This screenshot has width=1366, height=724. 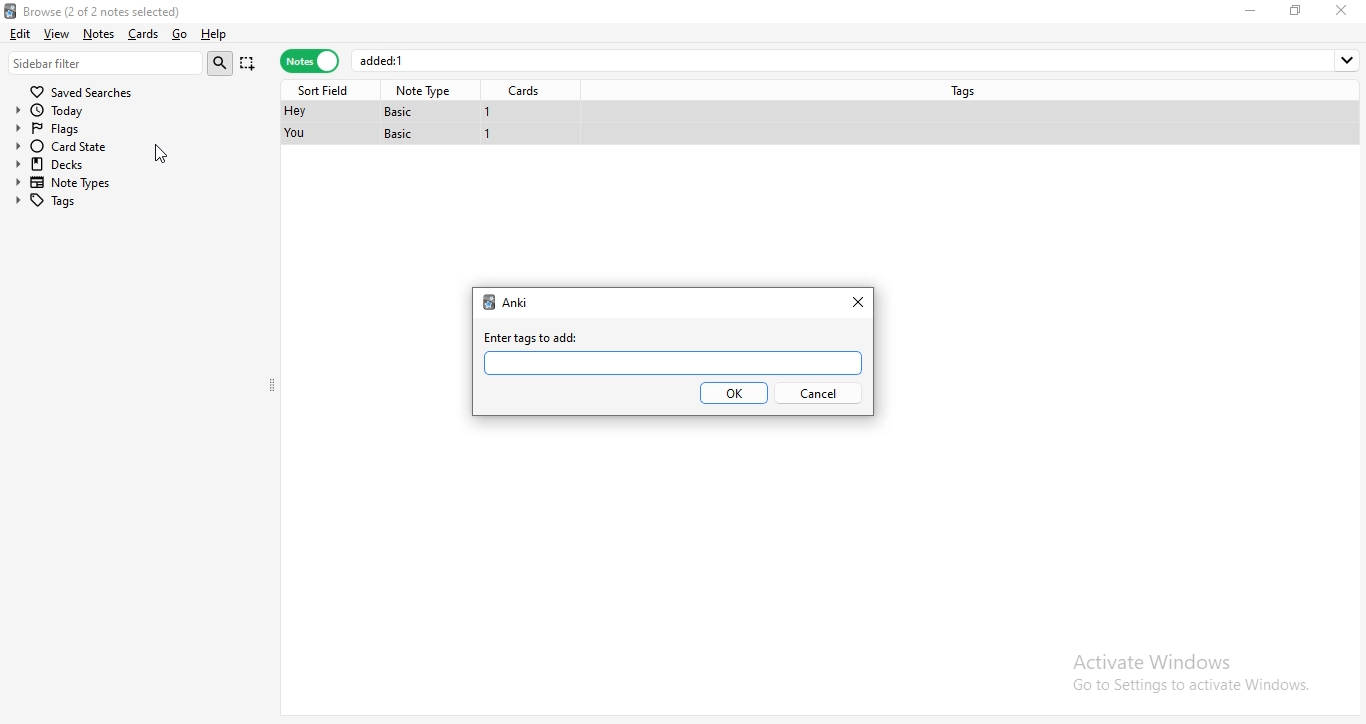 What do you see at coordinates (98, 34) in the screenshot?
I see `notes` at bounding box center [98, 34].